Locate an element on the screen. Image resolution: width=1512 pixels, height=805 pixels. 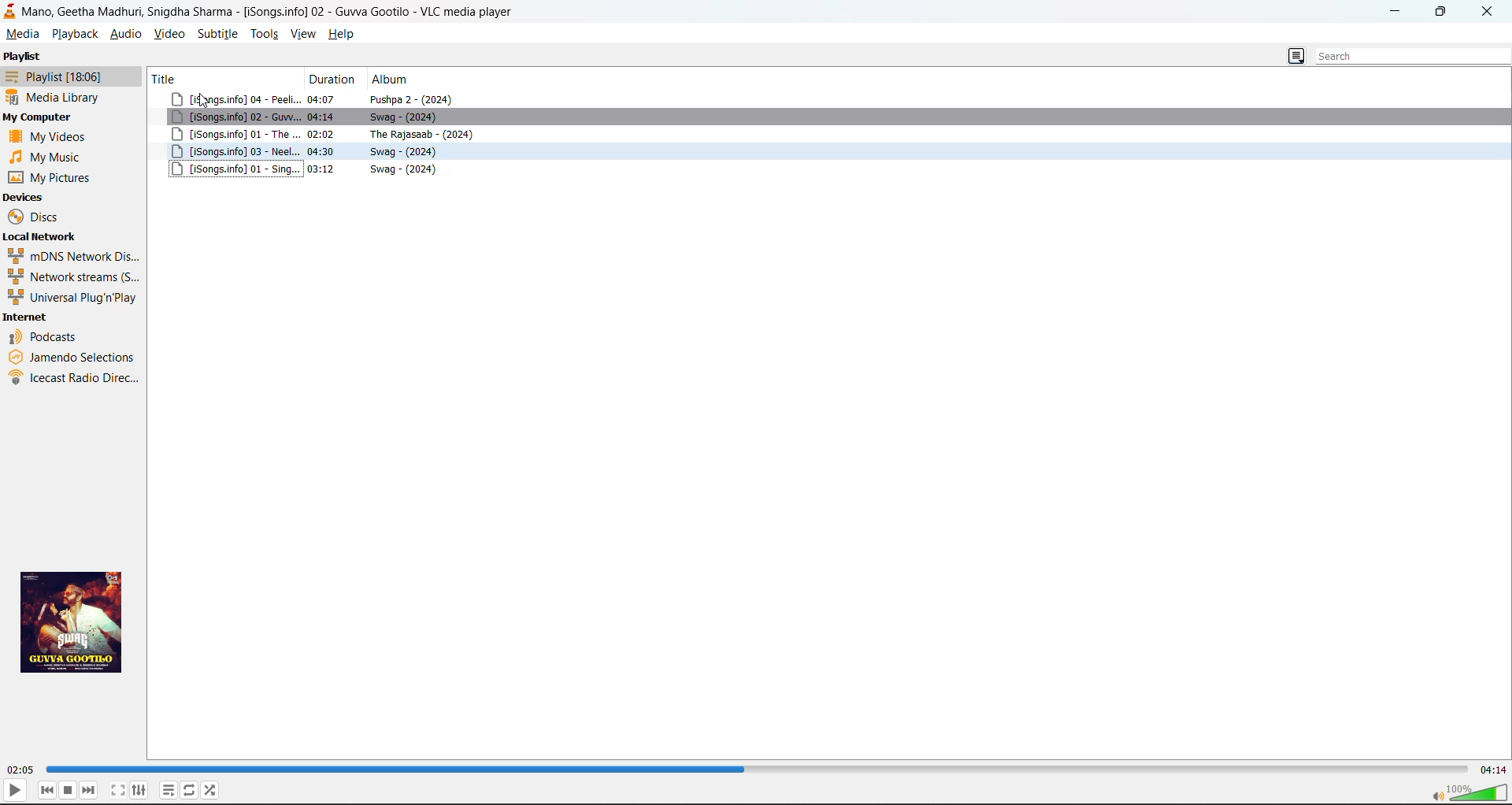
minimize is located at coordinates (1399, 12).